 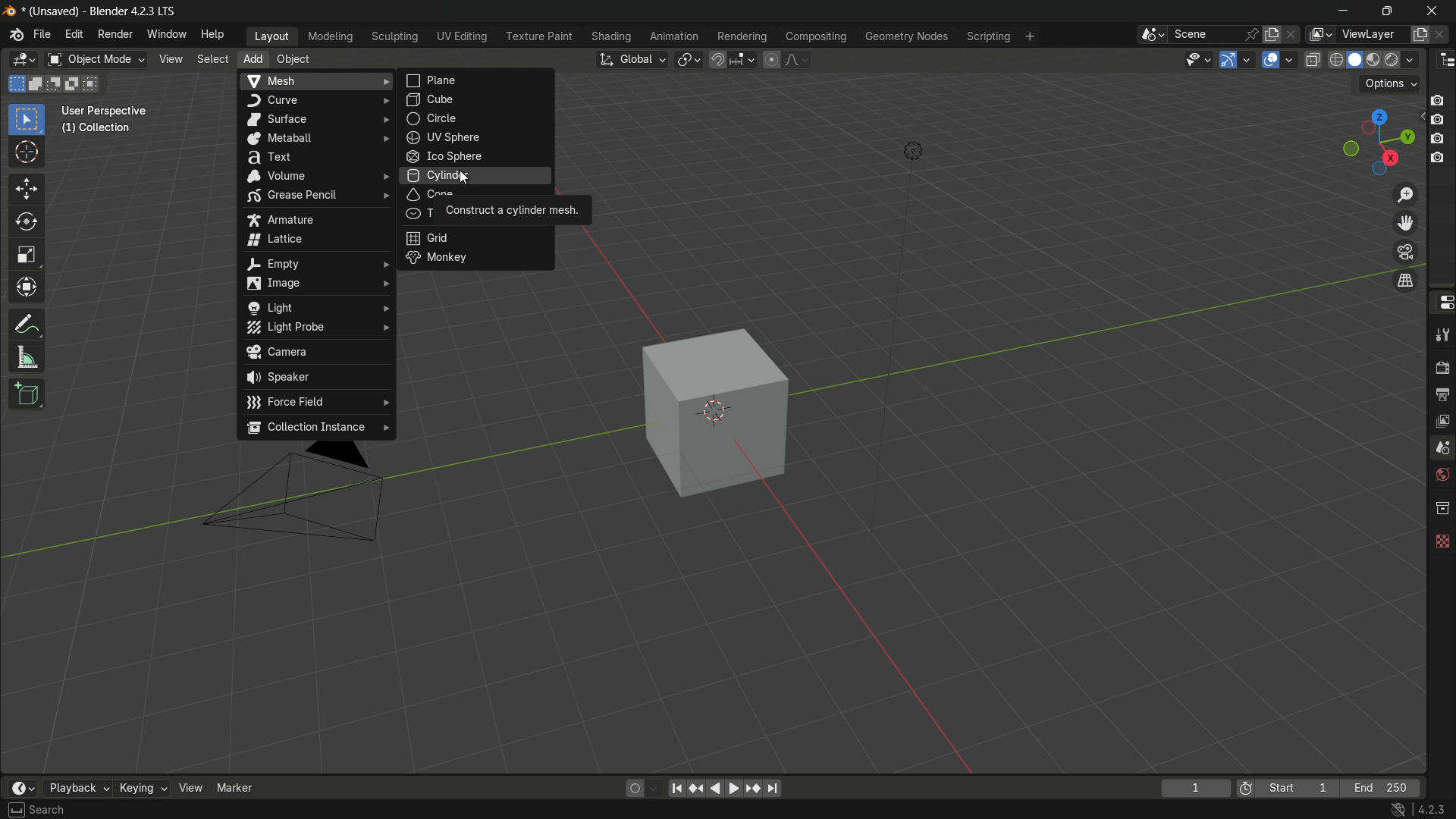 I want to click on cone, so click(x=420, y=196).